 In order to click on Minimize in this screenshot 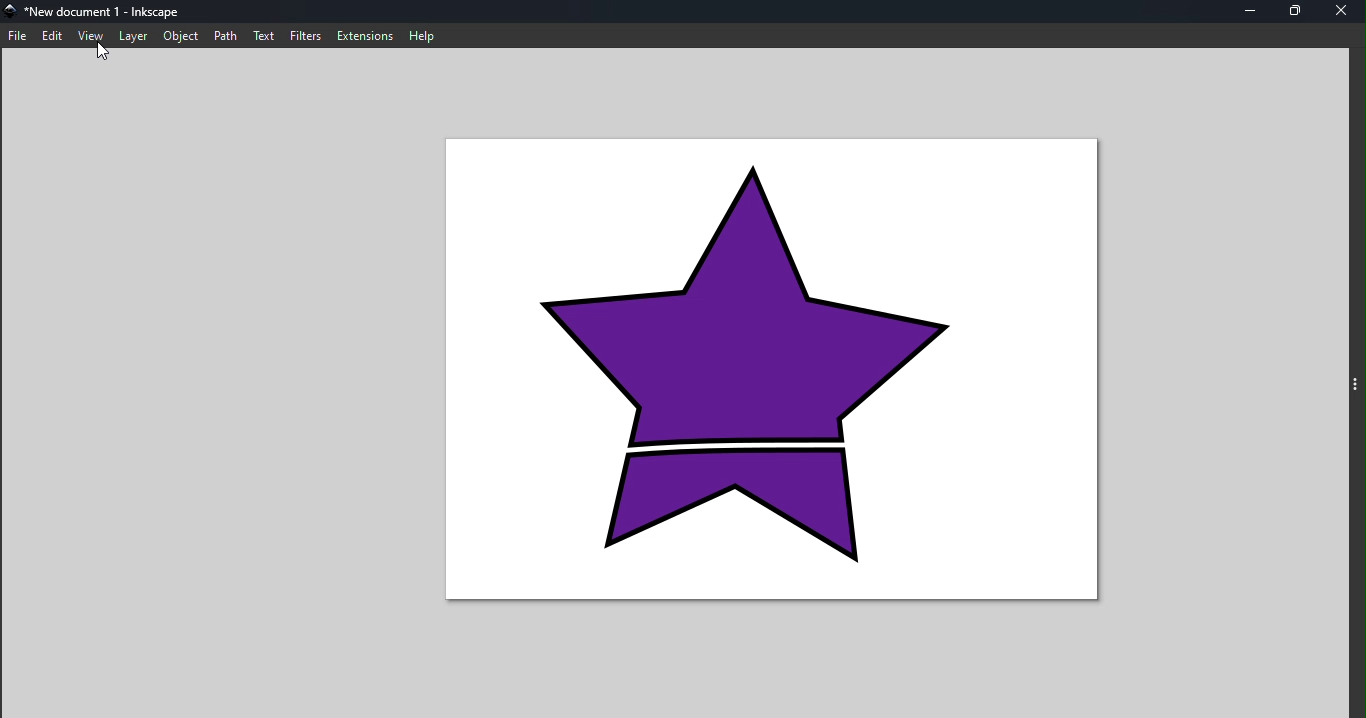, I will do `click(1254, 11)`.